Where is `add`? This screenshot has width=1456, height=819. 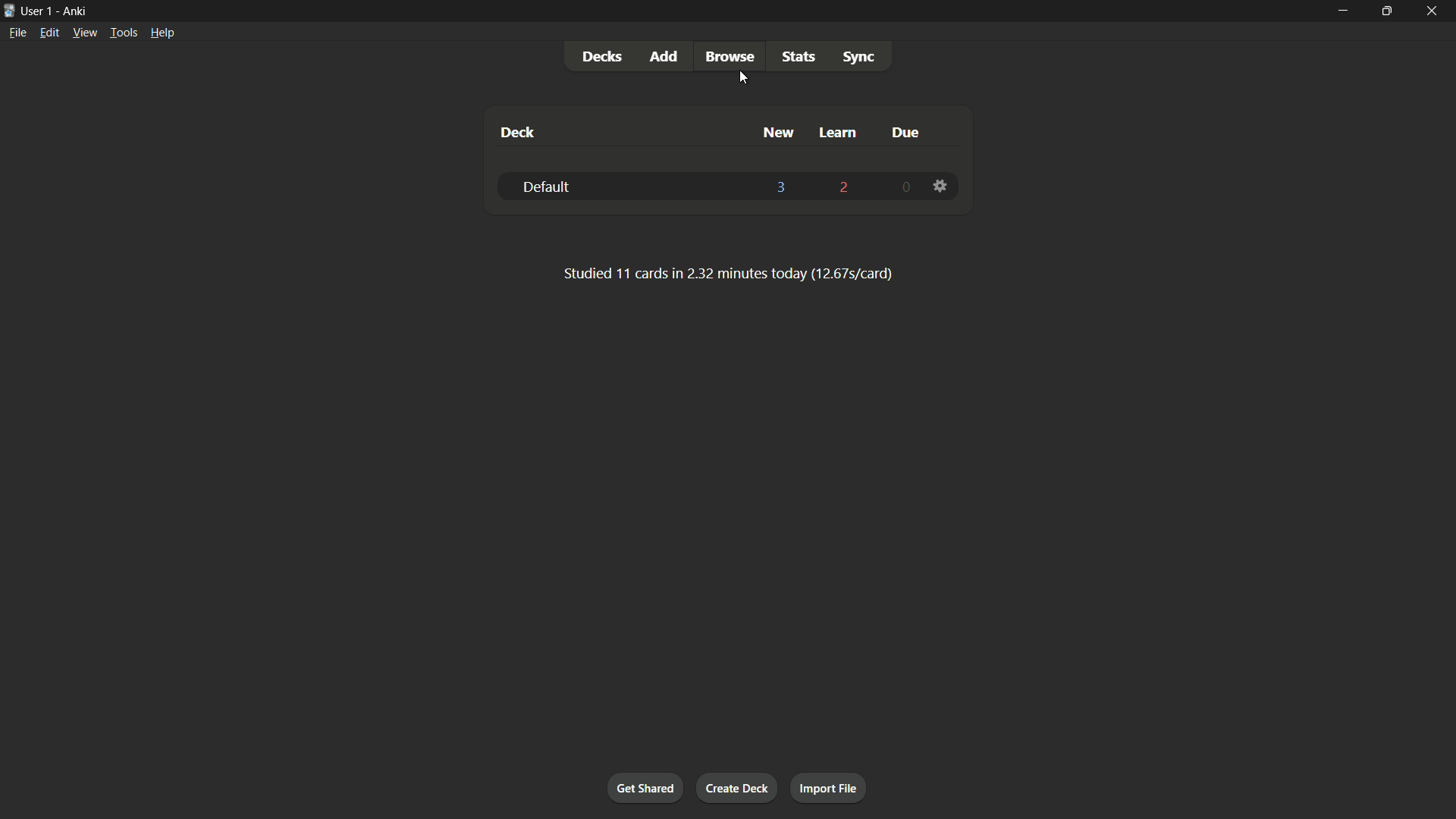 add is located at coordinates (663, 56).